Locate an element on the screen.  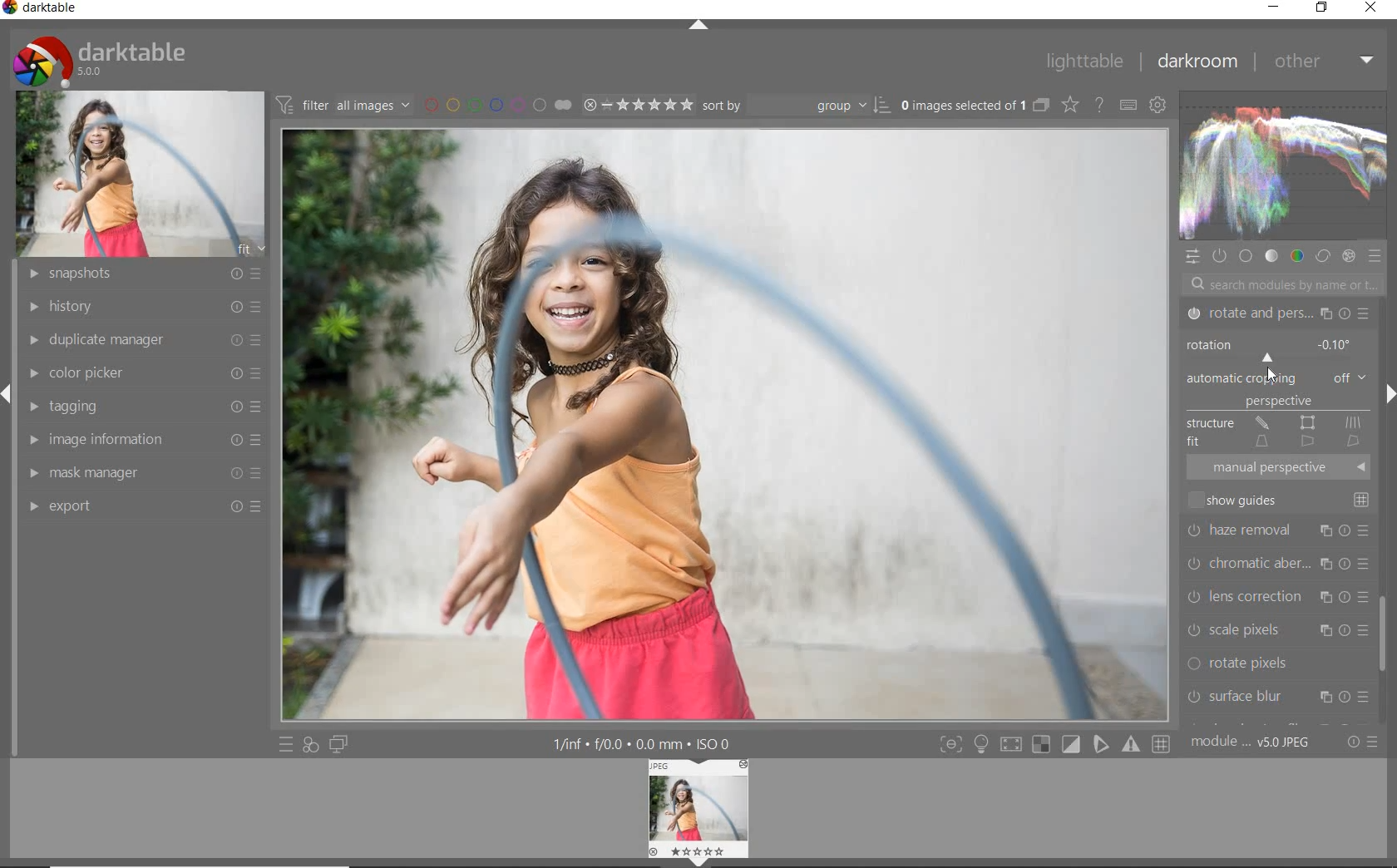
export is located at coordinates (146, 505).